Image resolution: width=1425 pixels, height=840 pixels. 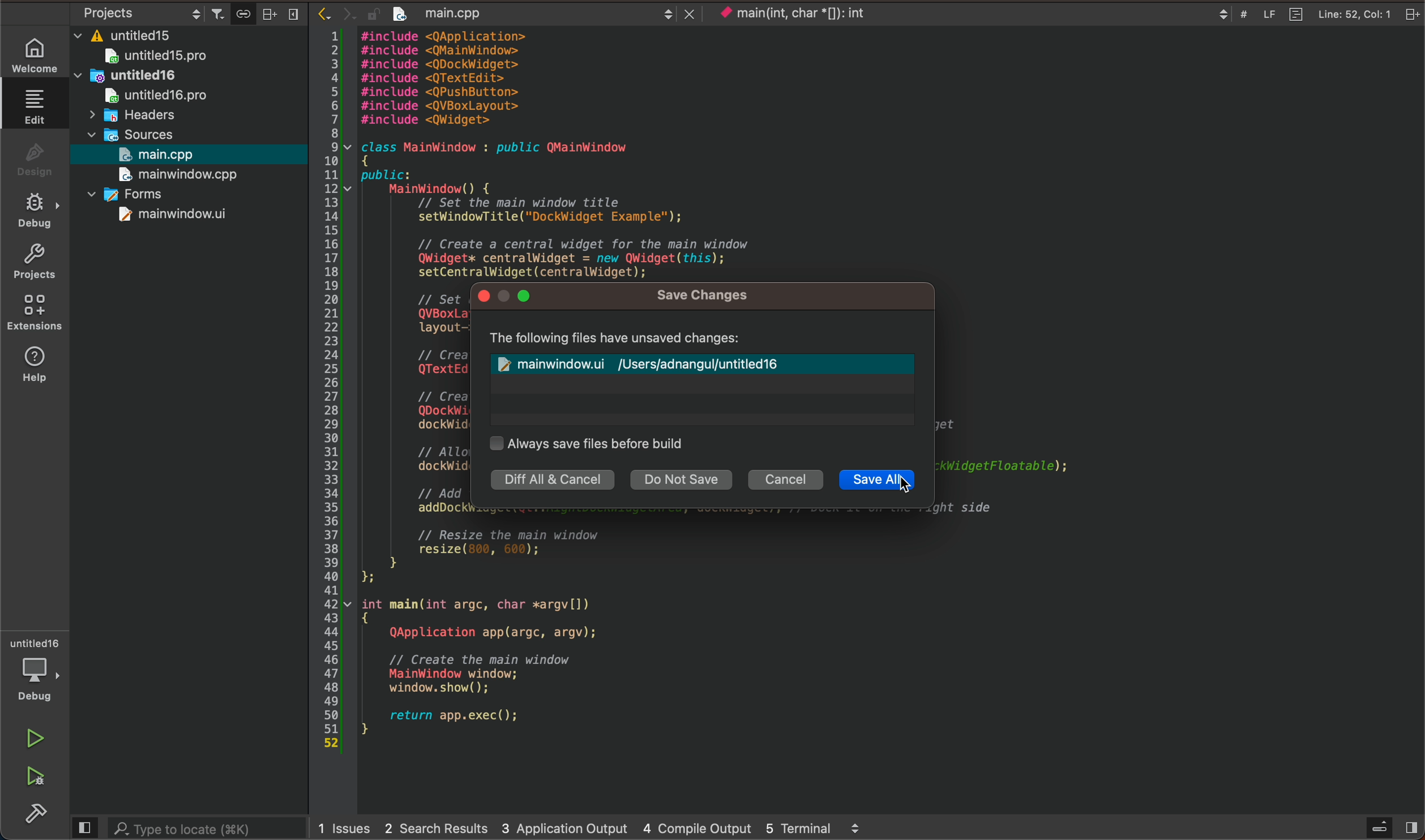 I want to click on edit, so click(x=29, y=104).